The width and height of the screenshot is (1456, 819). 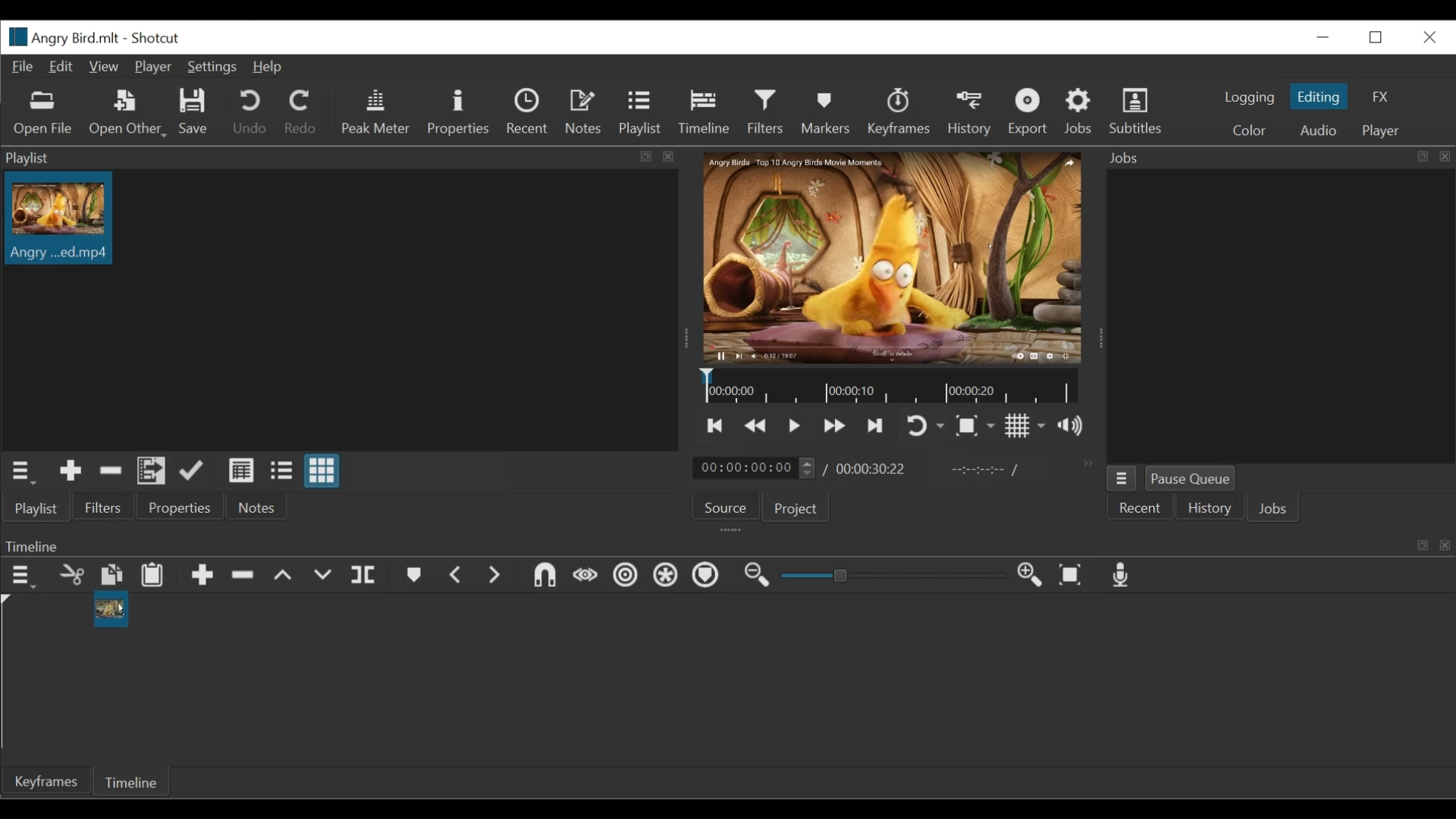 What do you see at coordinates (544, 577) in the screenshot?
I see `Snap  ` at bounding box center [544, 577].